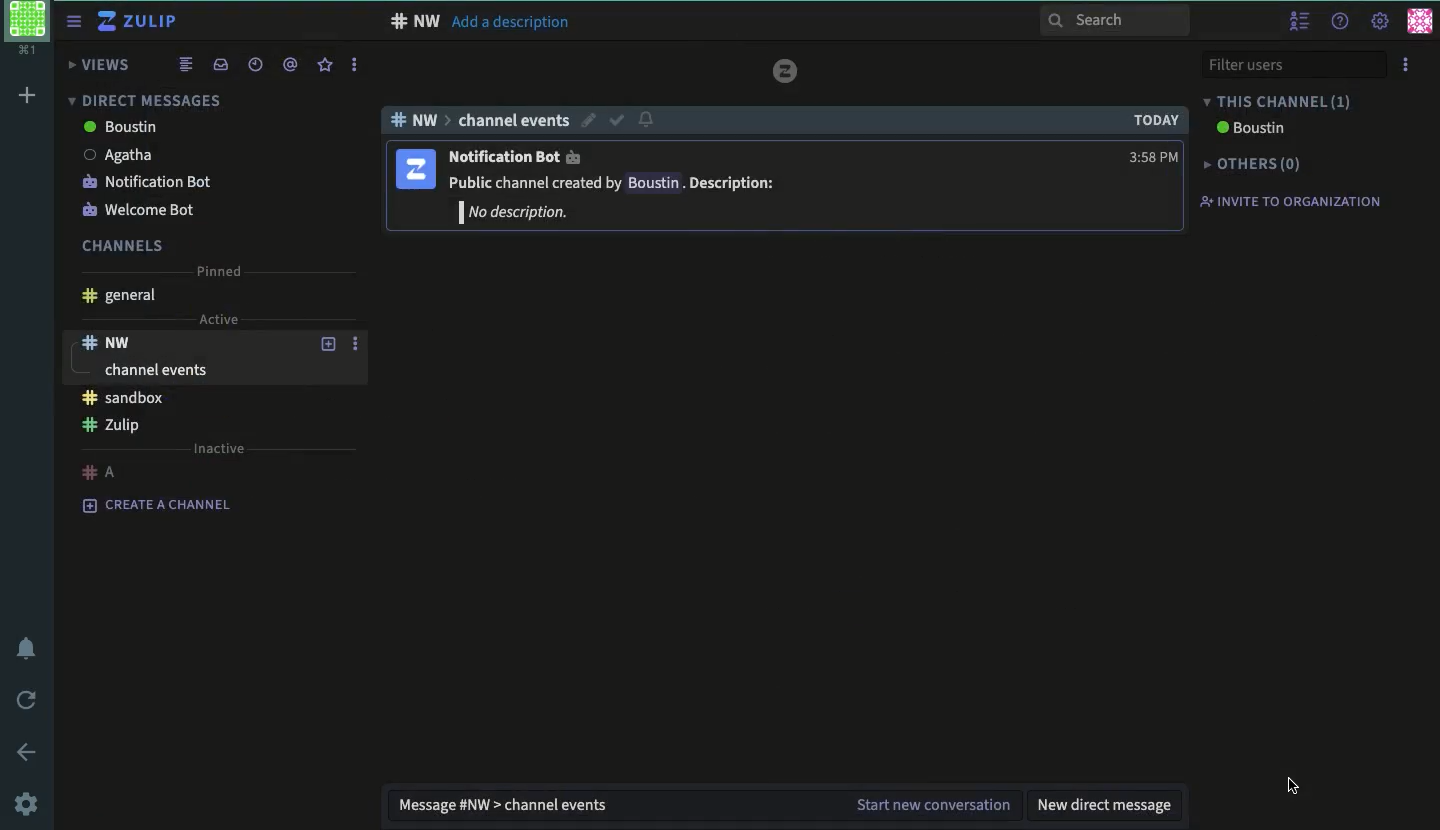  What do you see at coordinates (184, 65) in the screenshot?
I see `combined feed` at bounding box center [184, 65].